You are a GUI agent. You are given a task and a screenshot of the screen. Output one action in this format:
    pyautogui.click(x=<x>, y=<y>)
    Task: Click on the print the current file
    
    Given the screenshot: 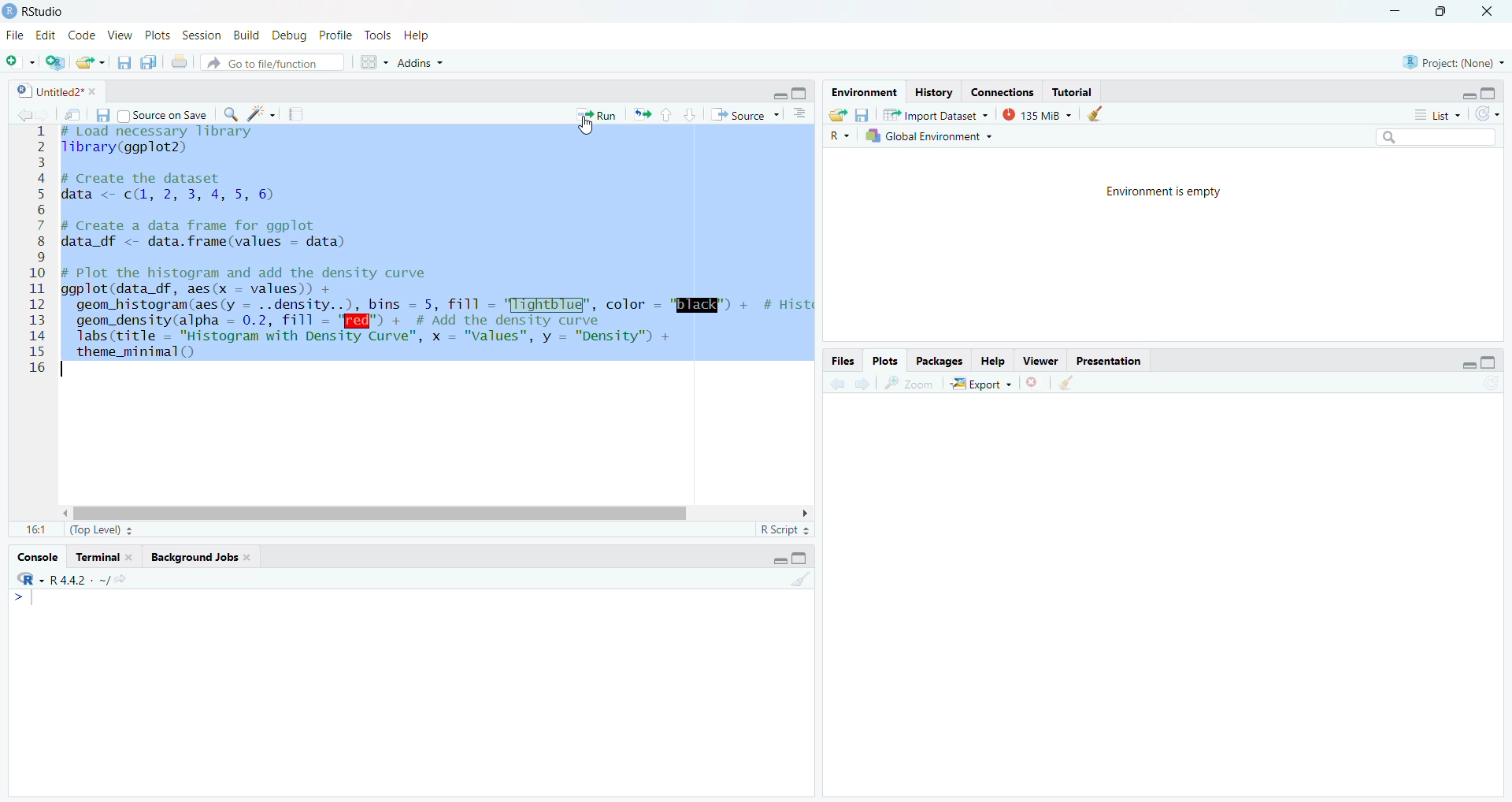 What is the action you would take?
    pyautogui.click(x=180, y=64)
    